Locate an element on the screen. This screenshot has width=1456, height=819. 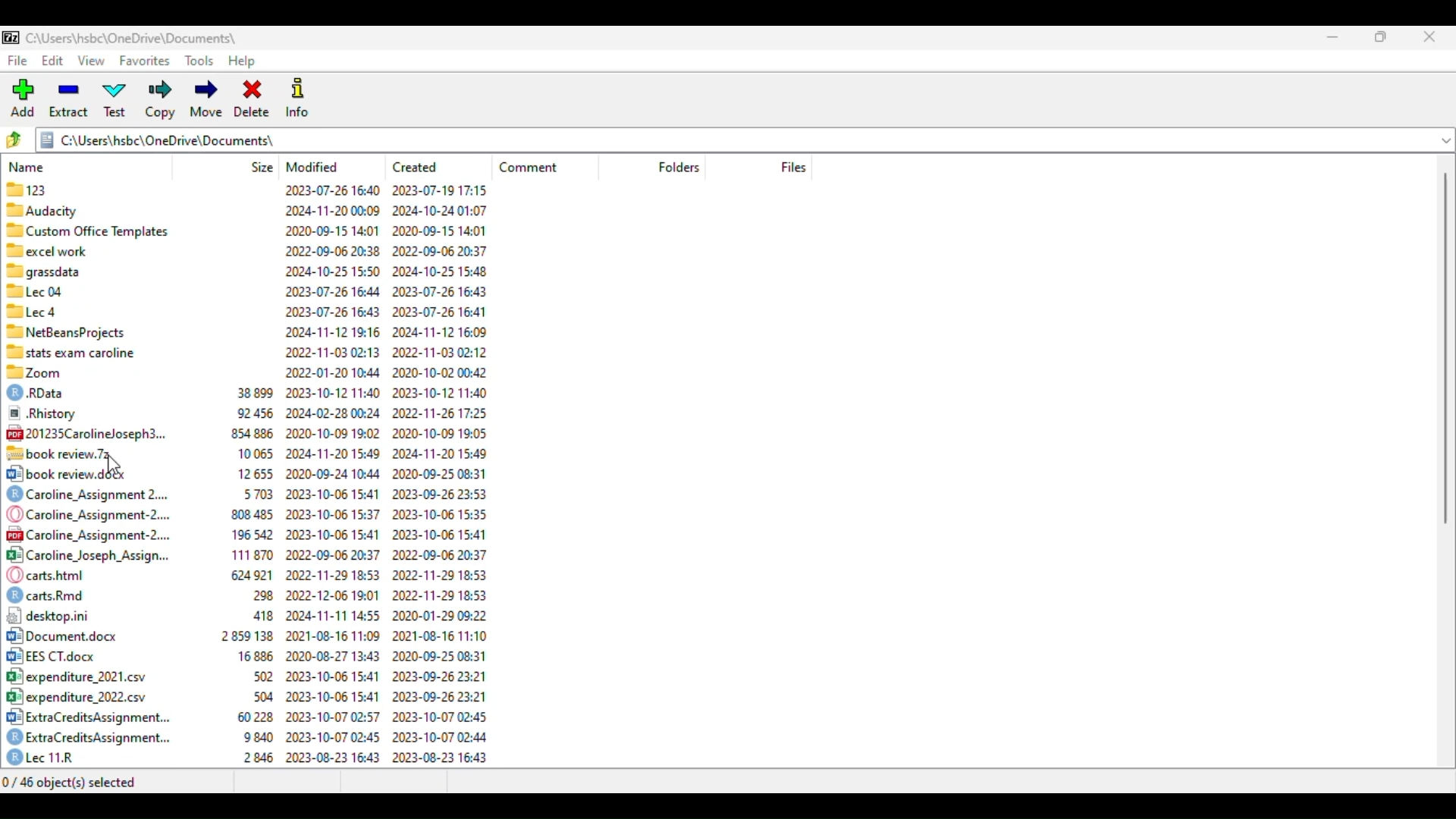
test is located at coordinates (115, 100).